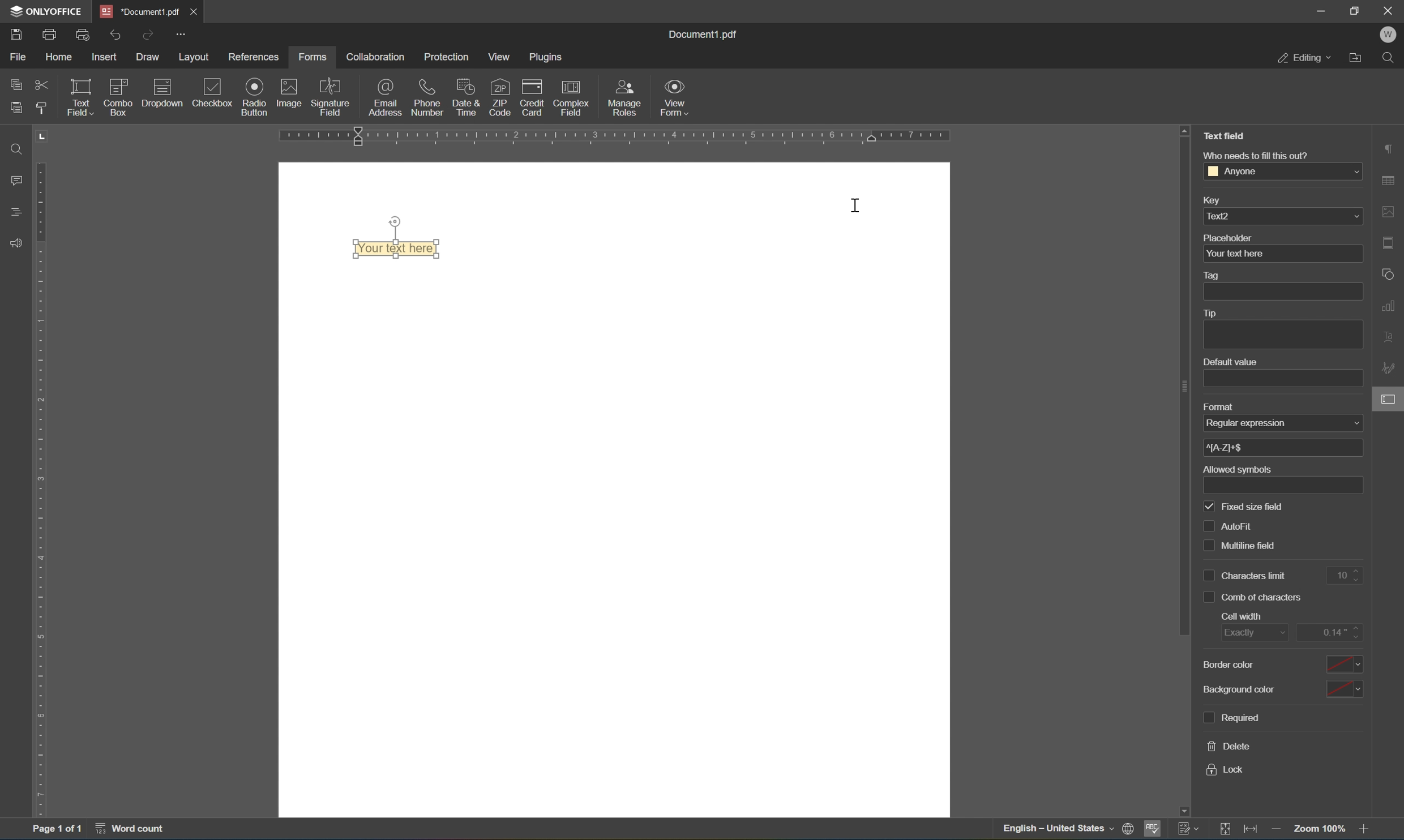 This screenshot has width=1404, height=840. What do you see at coordinates (1389, 146) in the screenshot?
I see `paragraph settings` at bounding box center [1389, 146].